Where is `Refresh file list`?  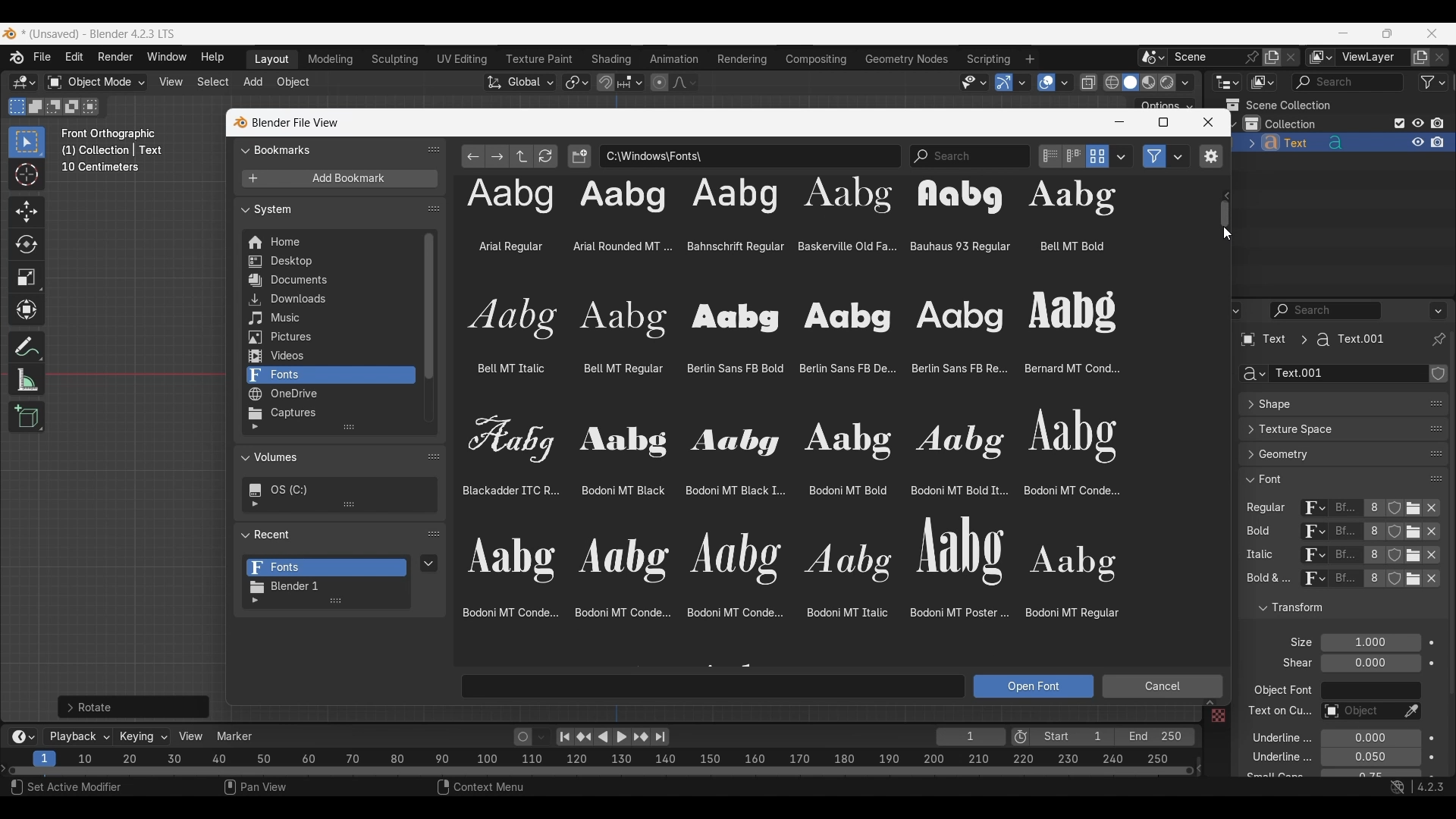
Refresh file list is located at coordinates (546, 156).